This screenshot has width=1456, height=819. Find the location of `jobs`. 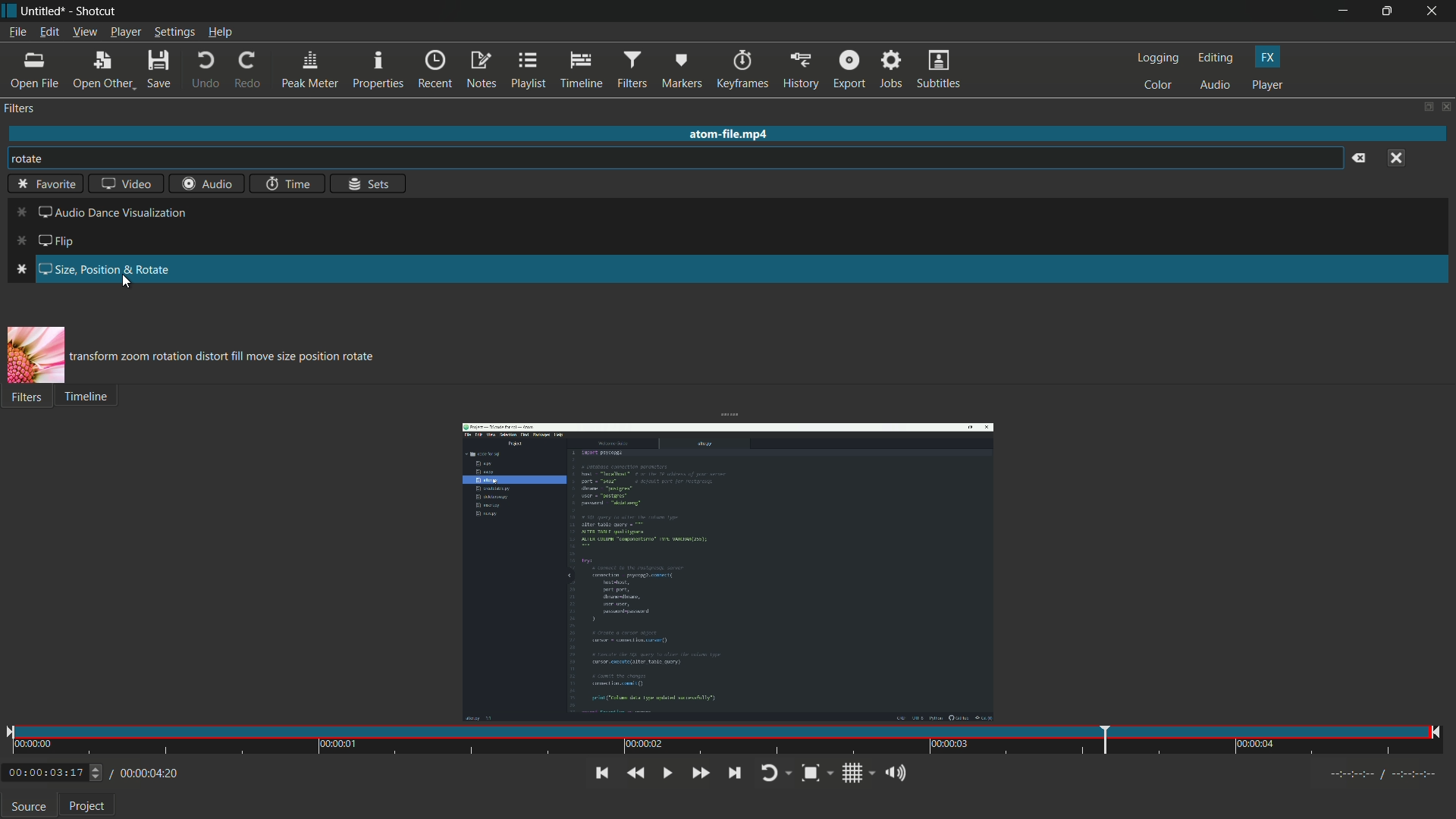

jobs is located at coordinates (890, 71).